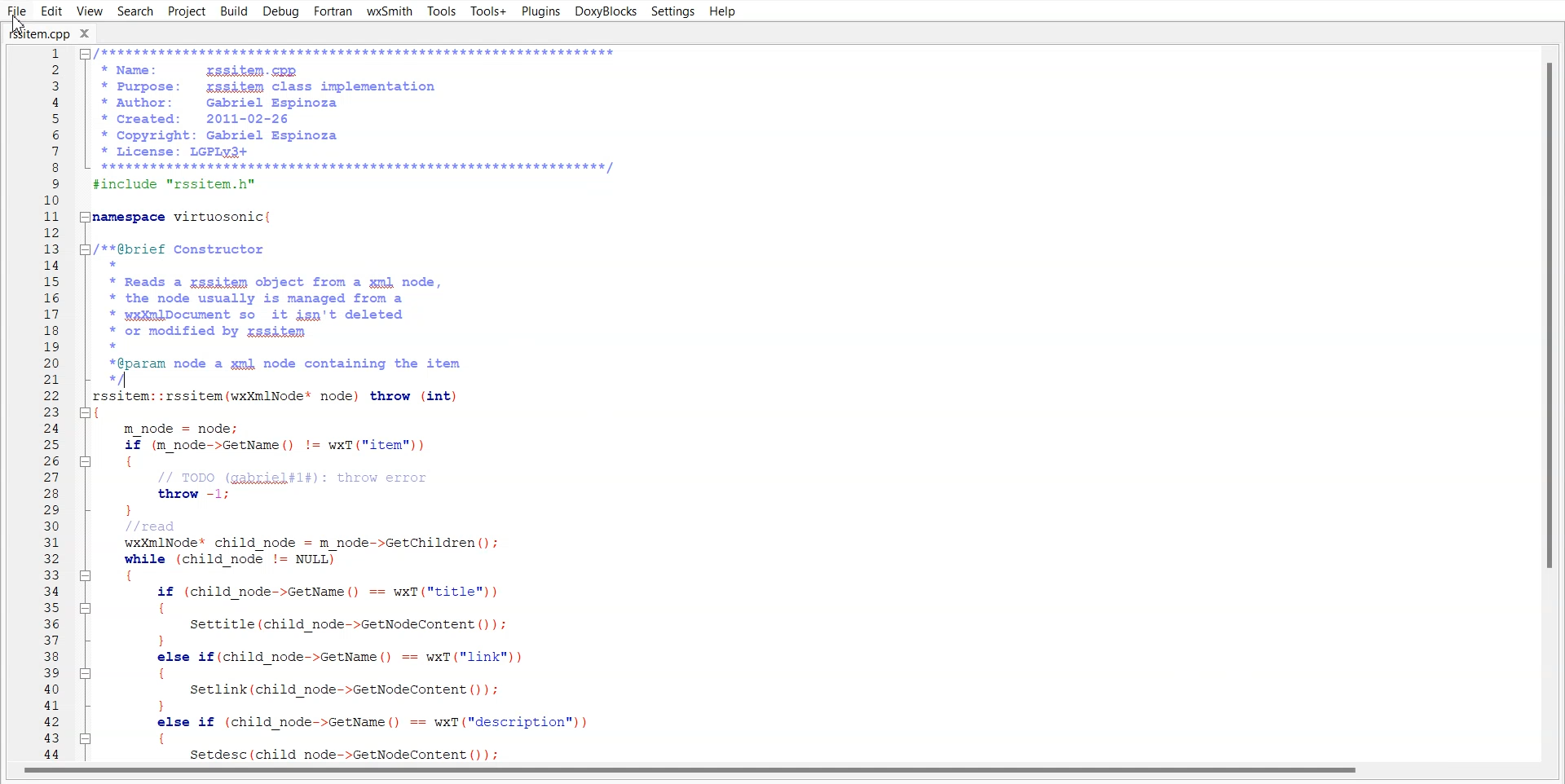 The height and width of the screenshot is (784, 1565). What do you see at coordinates (86, 412) in the screenshot?
I see `Collapse` at bounding box center [86, 412].